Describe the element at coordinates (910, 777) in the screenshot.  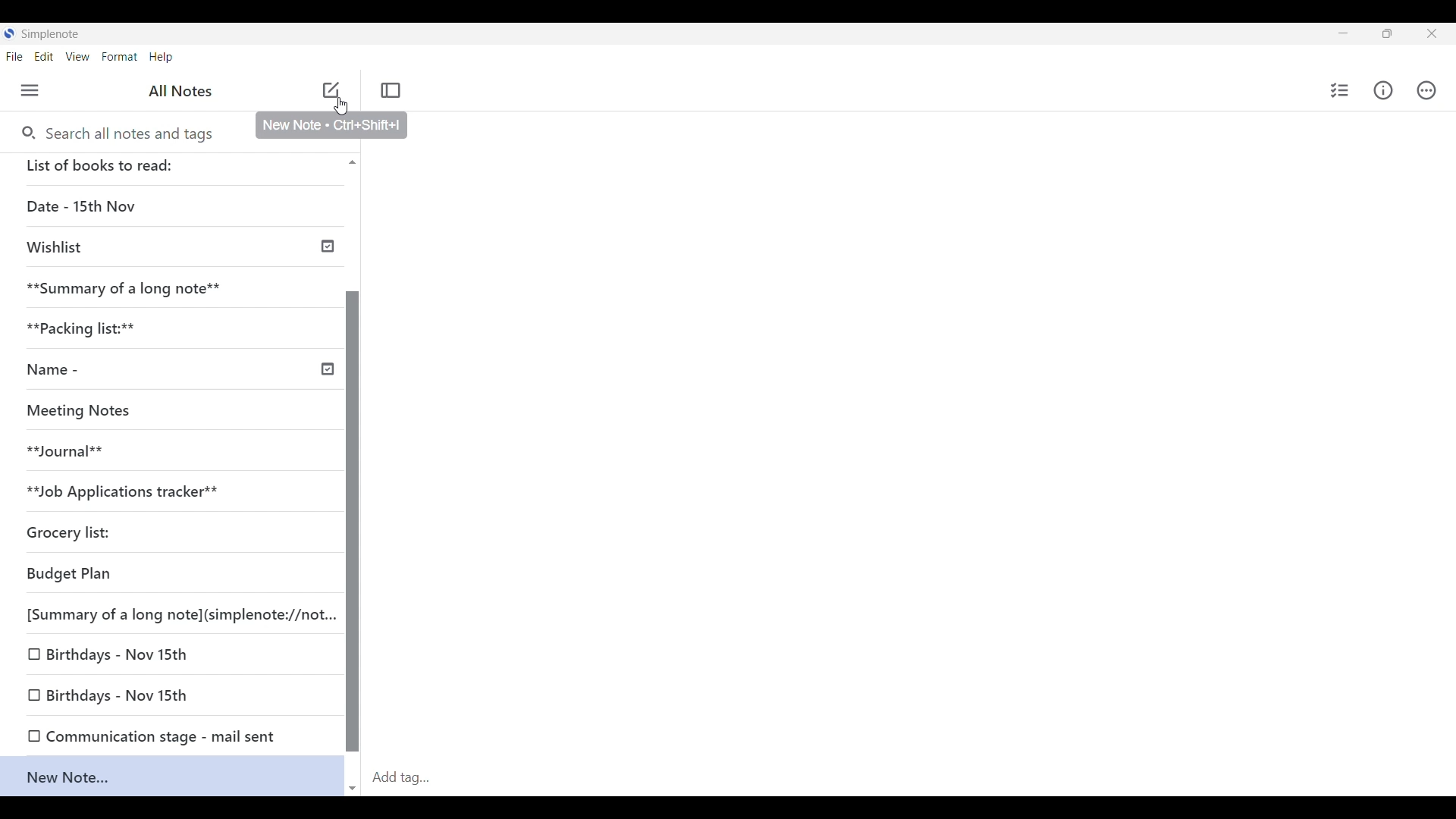
I see `Add tag` at that location.